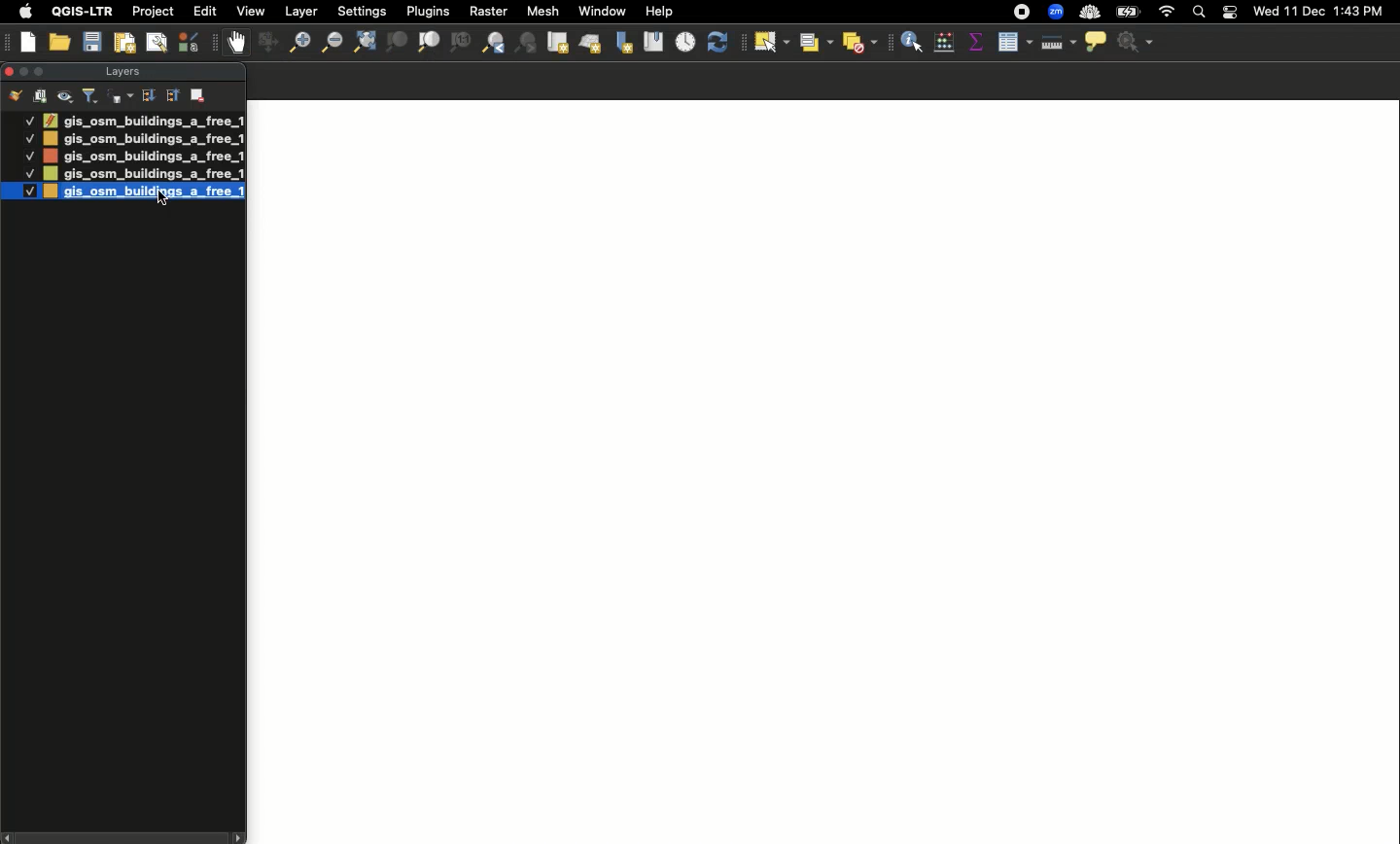 Image resolution: width=1400 pixels, height=844 pixels. Describe the element at coordinates (426, 10) in the screenshot. I see `Plugins` at that location.